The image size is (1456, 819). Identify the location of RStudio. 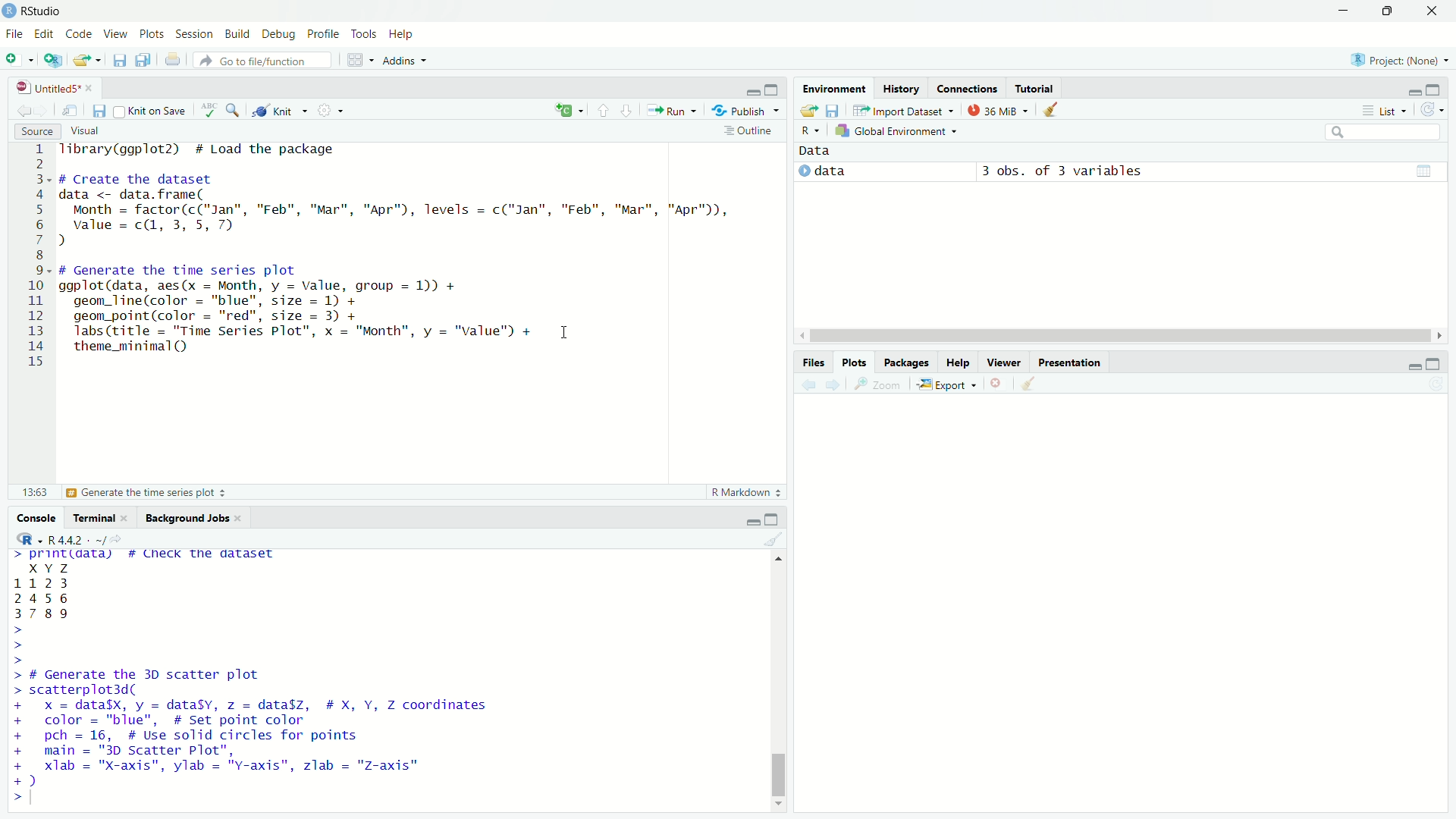
(37, 10).